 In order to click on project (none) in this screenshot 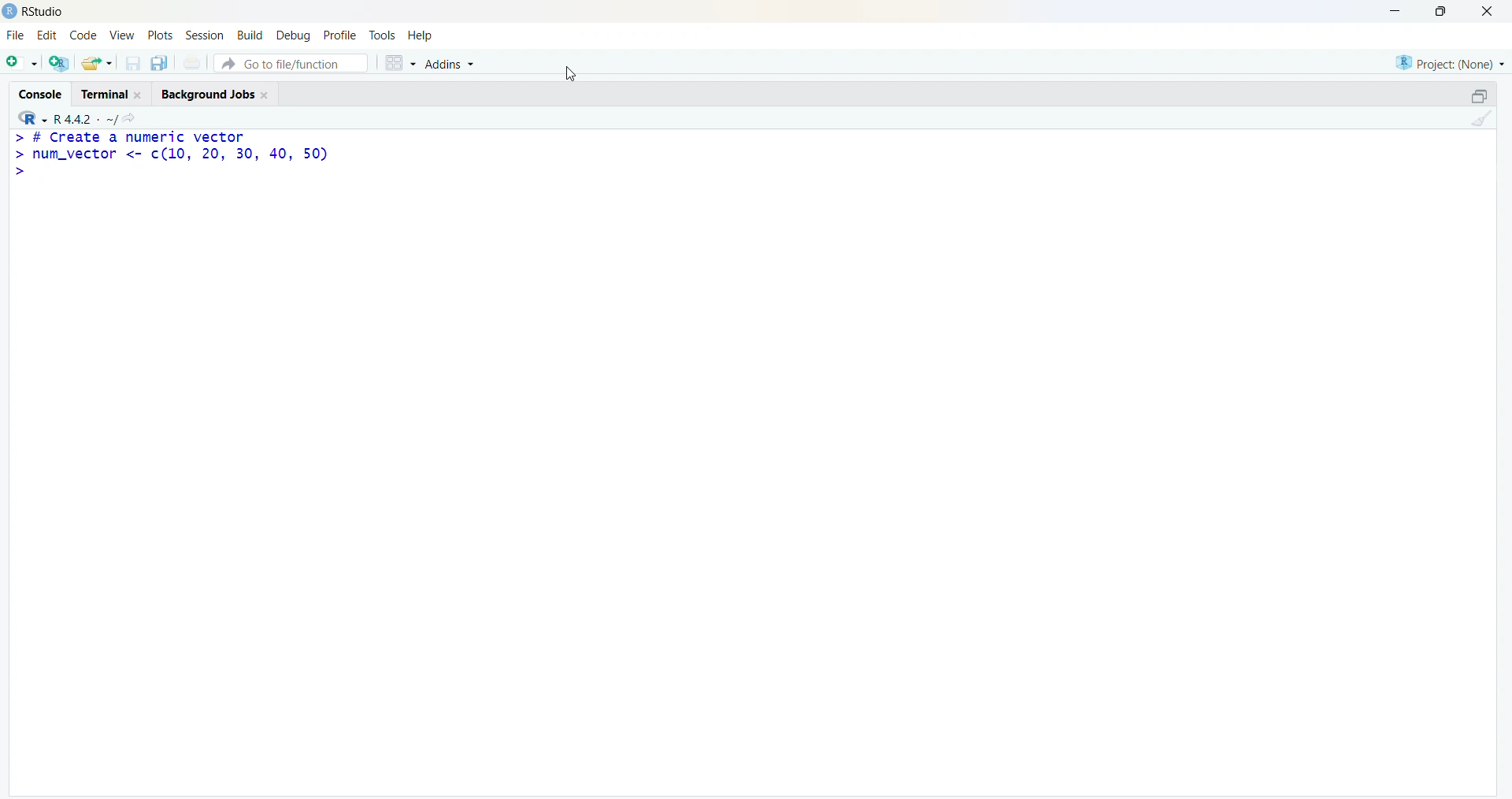, I will do `click(1450, 64)`.